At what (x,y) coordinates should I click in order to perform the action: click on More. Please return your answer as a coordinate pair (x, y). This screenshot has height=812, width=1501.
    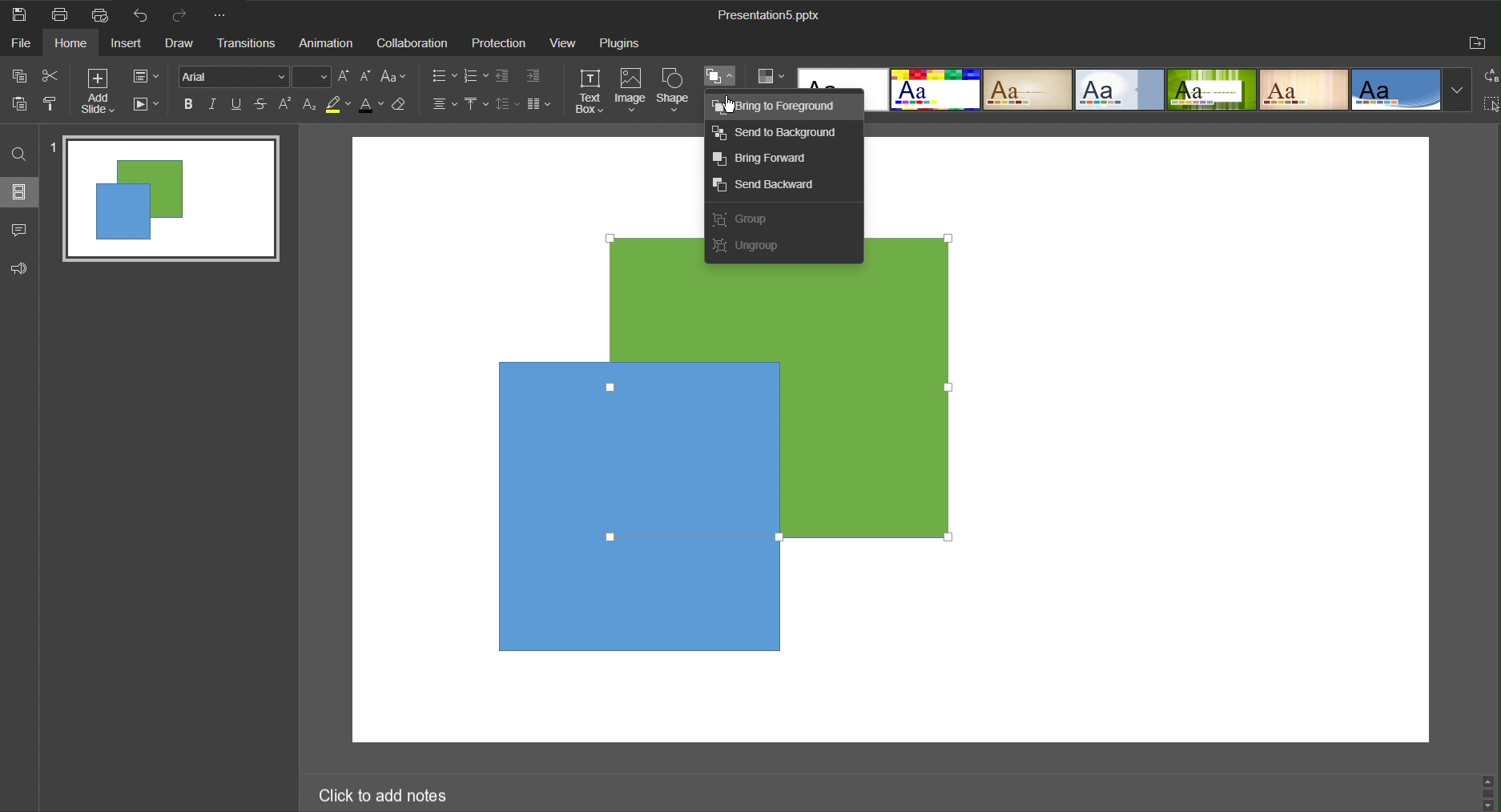
    Looking at the image, I should click on (225, 16).